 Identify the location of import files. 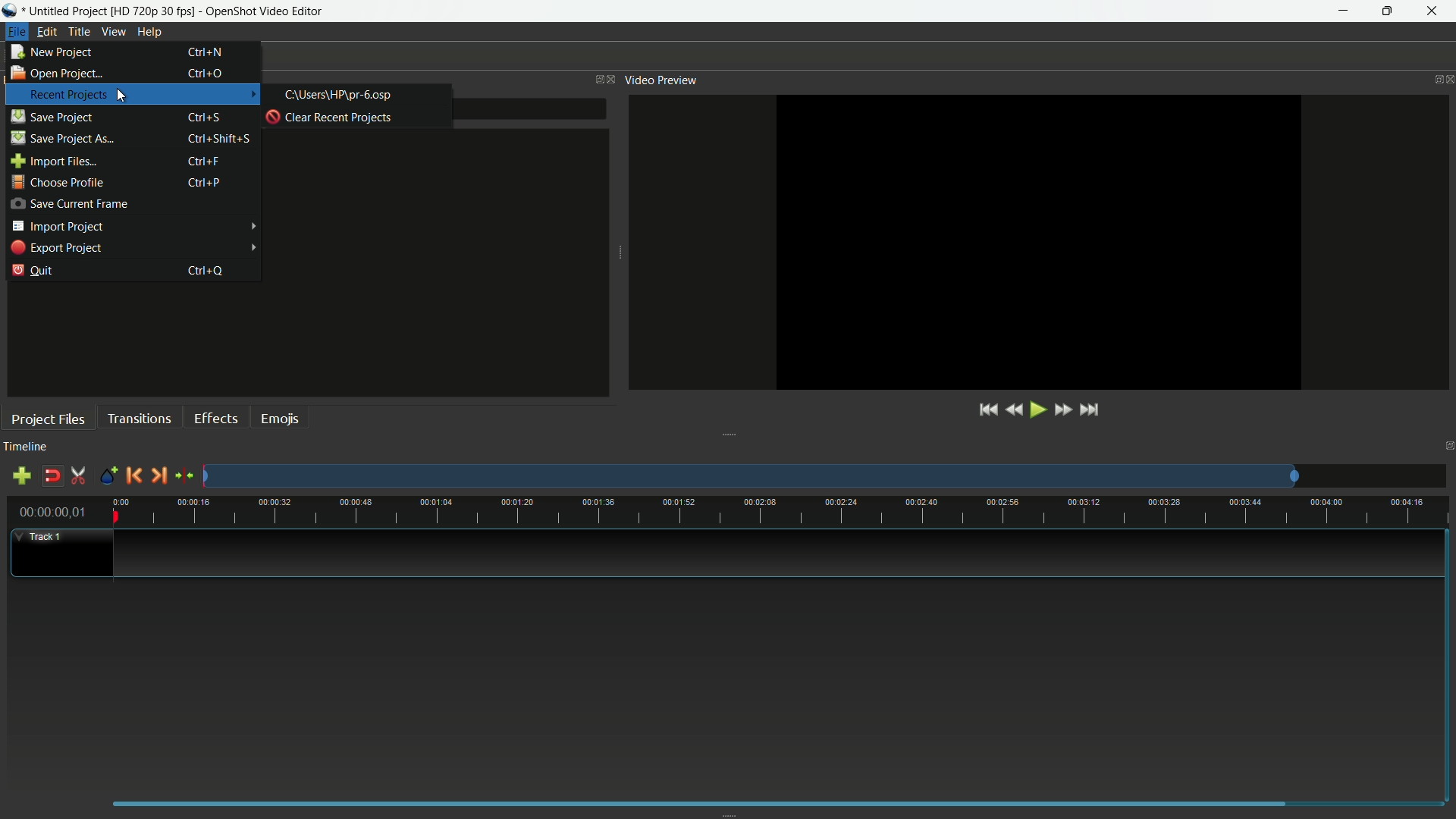
(54, 162).